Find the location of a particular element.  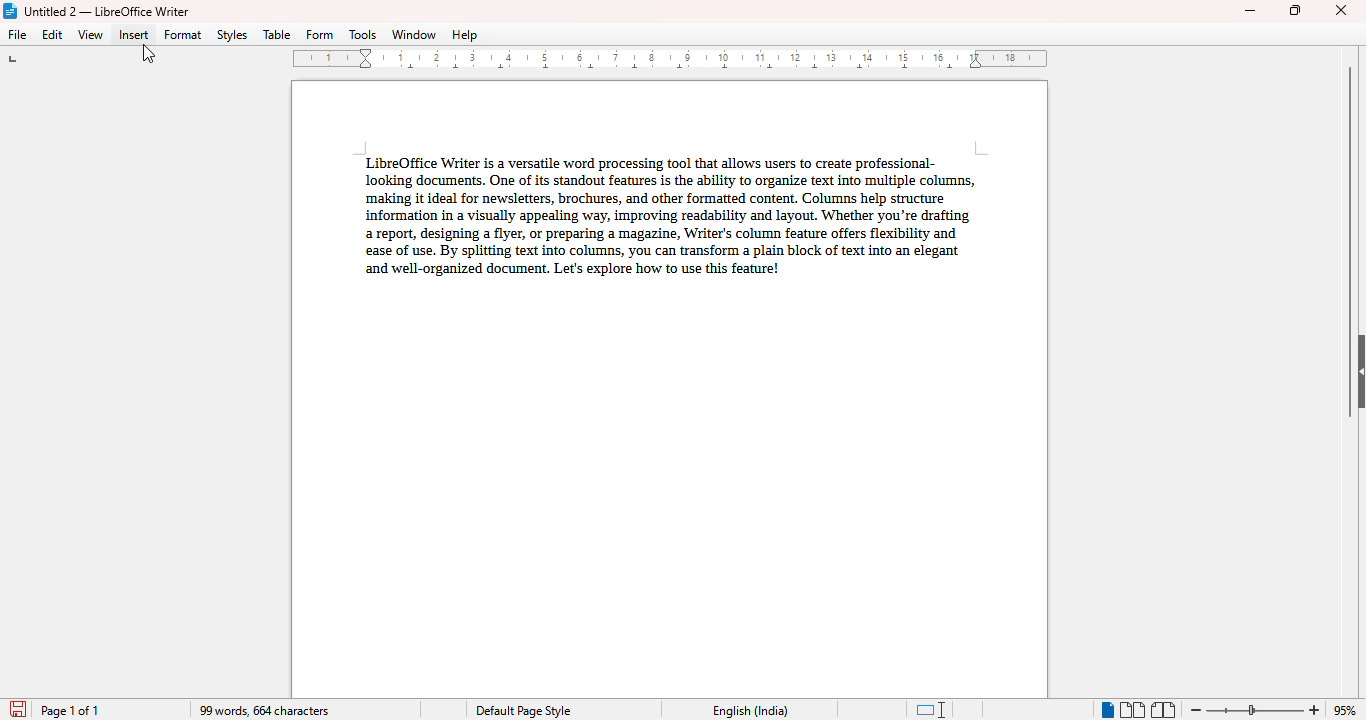

styles is located at coordinates (233, 35).